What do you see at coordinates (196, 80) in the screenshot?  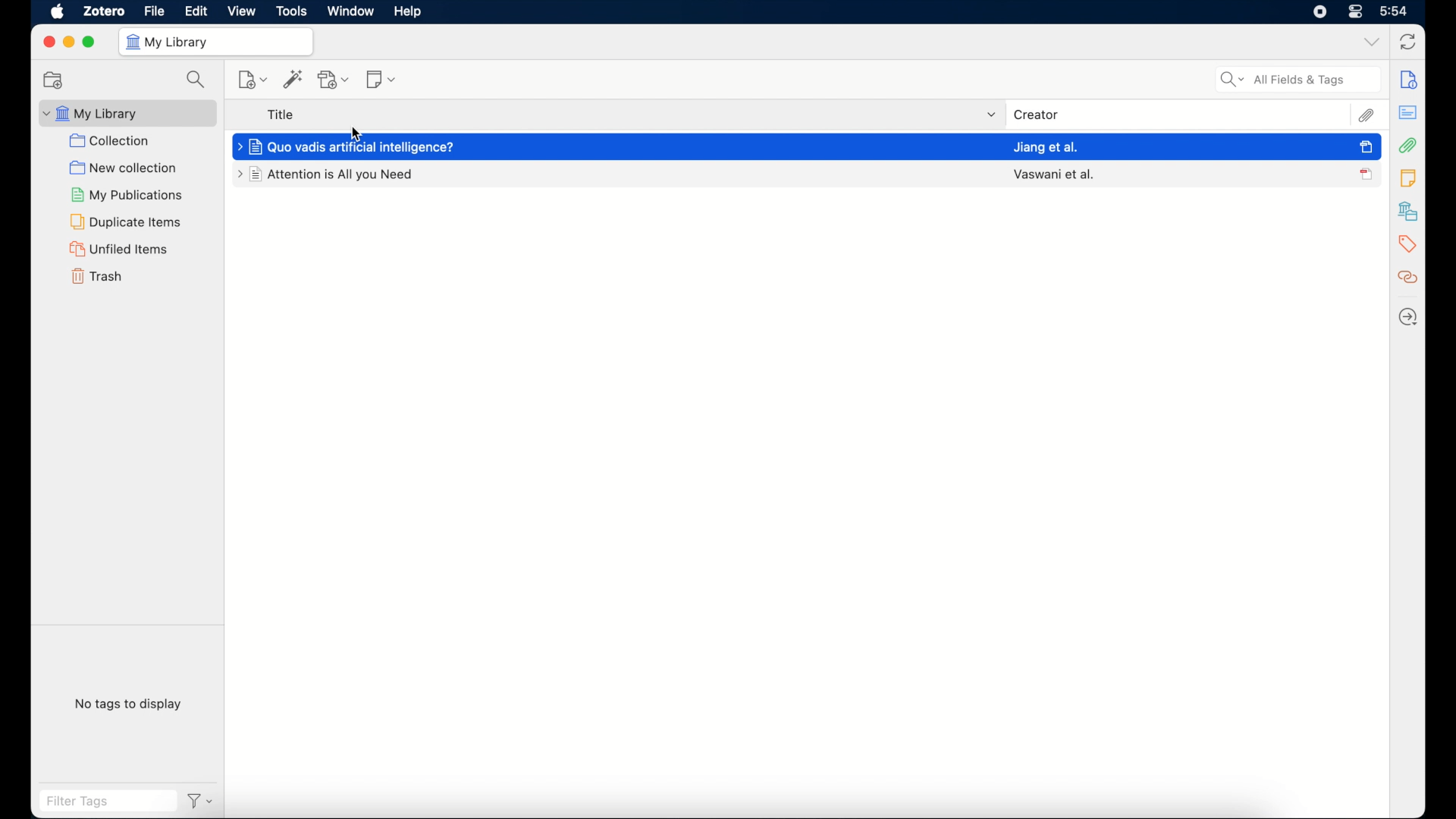 I see `search` at bounding box center [196, 80].